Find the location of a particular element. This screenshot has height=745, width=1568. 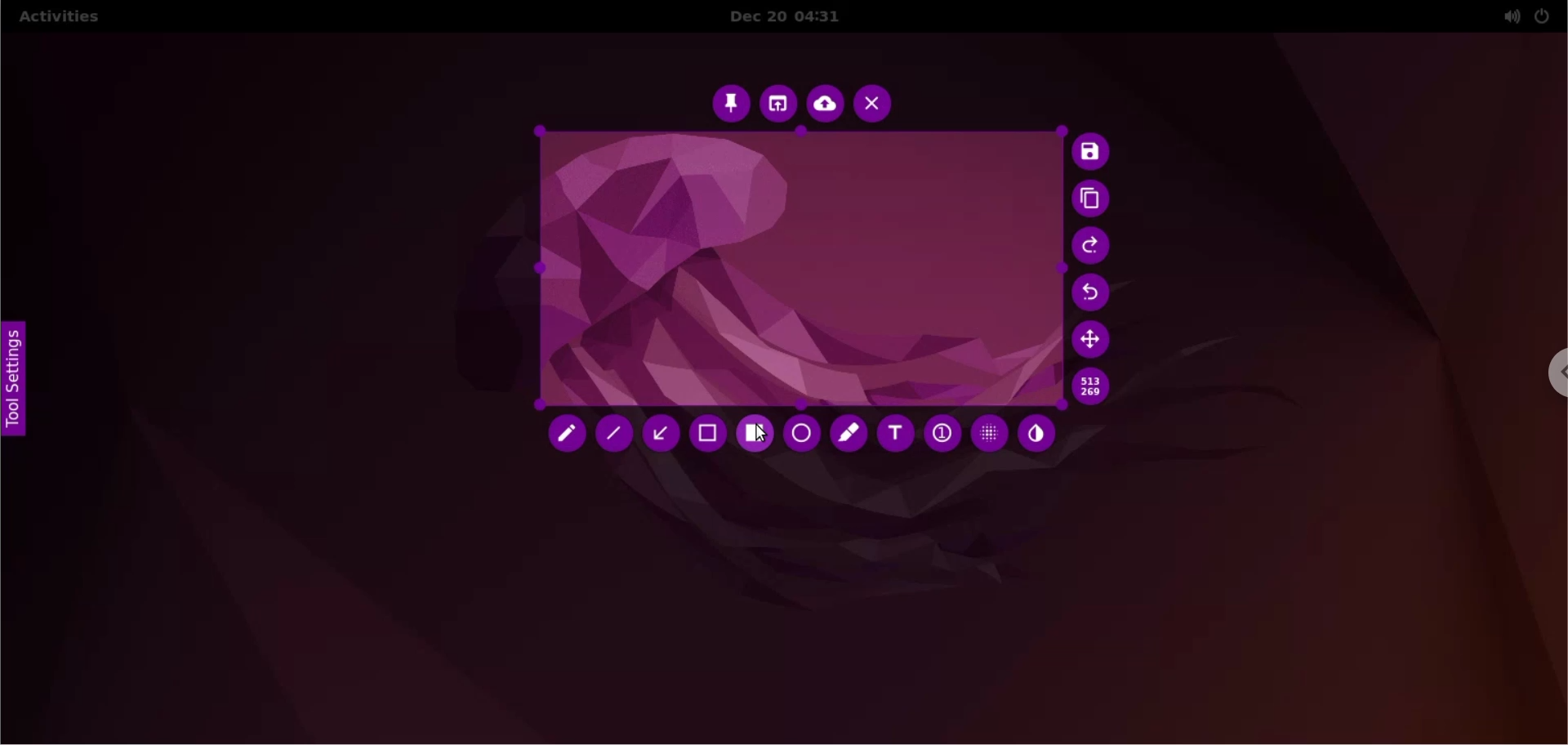

circle tool is located at coordinates (801, 434).